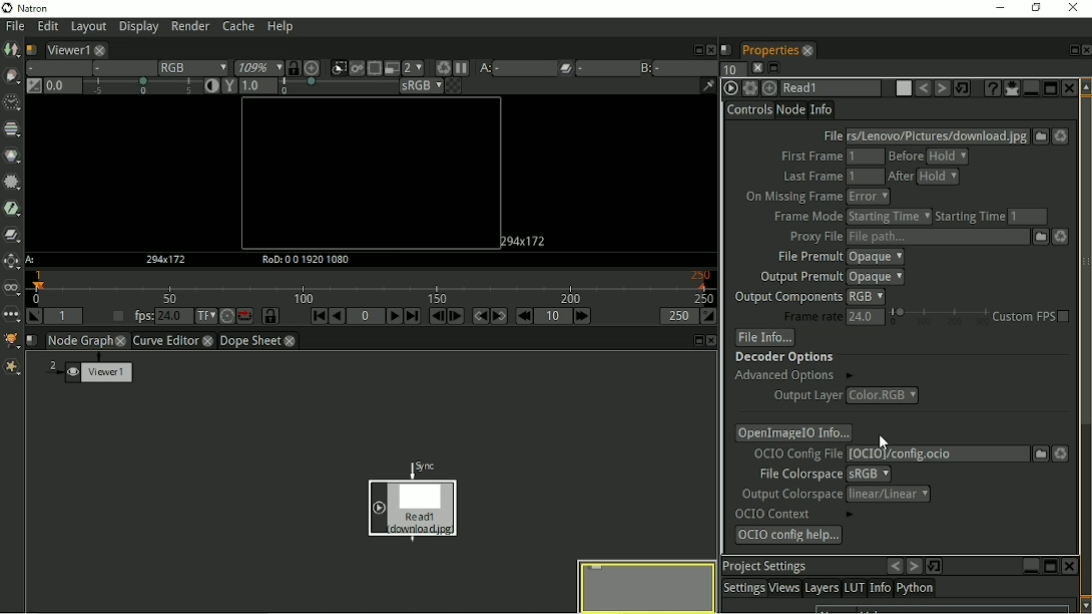 This screenshot has height=614, width=1092. I want to click on Centers nodes, so click(769, 88).